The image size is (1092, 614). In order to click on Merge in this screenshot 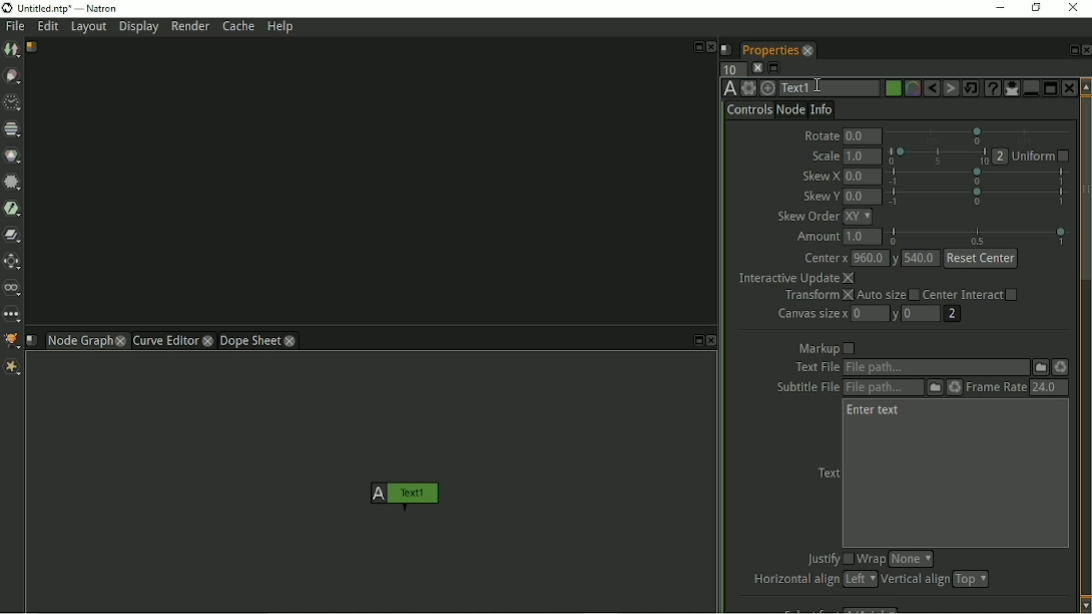, I will do `click(13, 235)`.